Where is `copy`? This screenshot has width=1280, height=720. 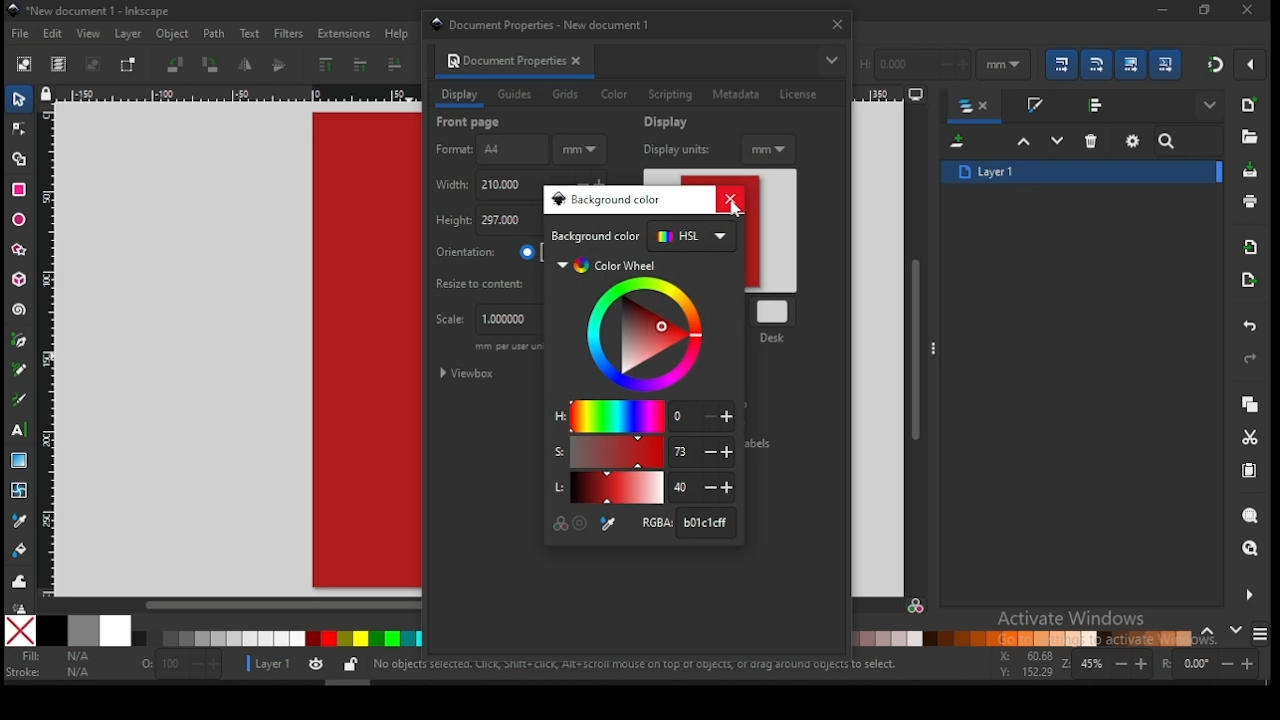
copy is located at coordinates (1249, 405).